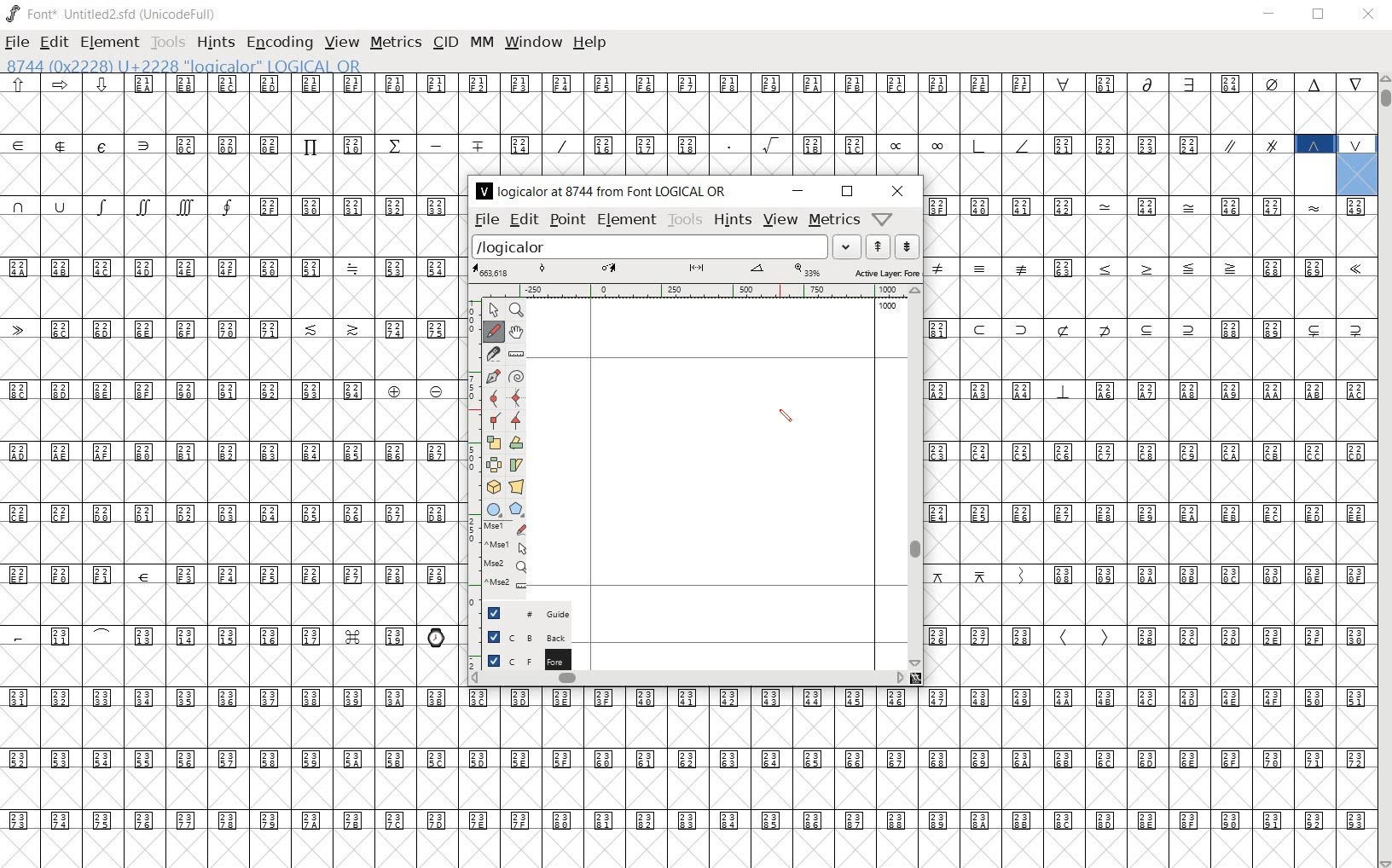  I want to click on polygon or star, so click(520, 509).